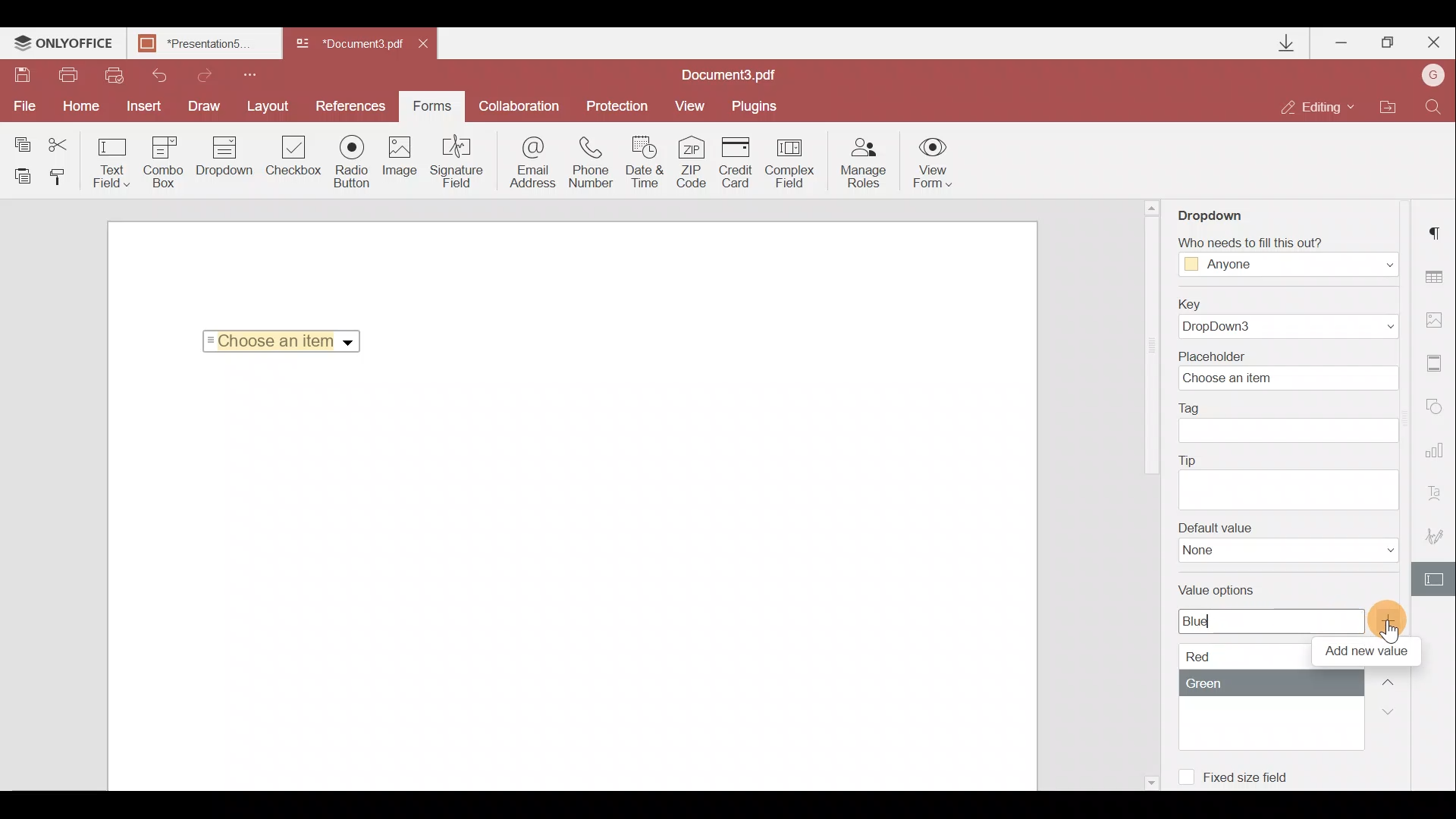 This screenshot has height=819, width=1456. Describe the element at coordinates (1439, 408) in the screenshot. I see `Shapes settings` at that location.